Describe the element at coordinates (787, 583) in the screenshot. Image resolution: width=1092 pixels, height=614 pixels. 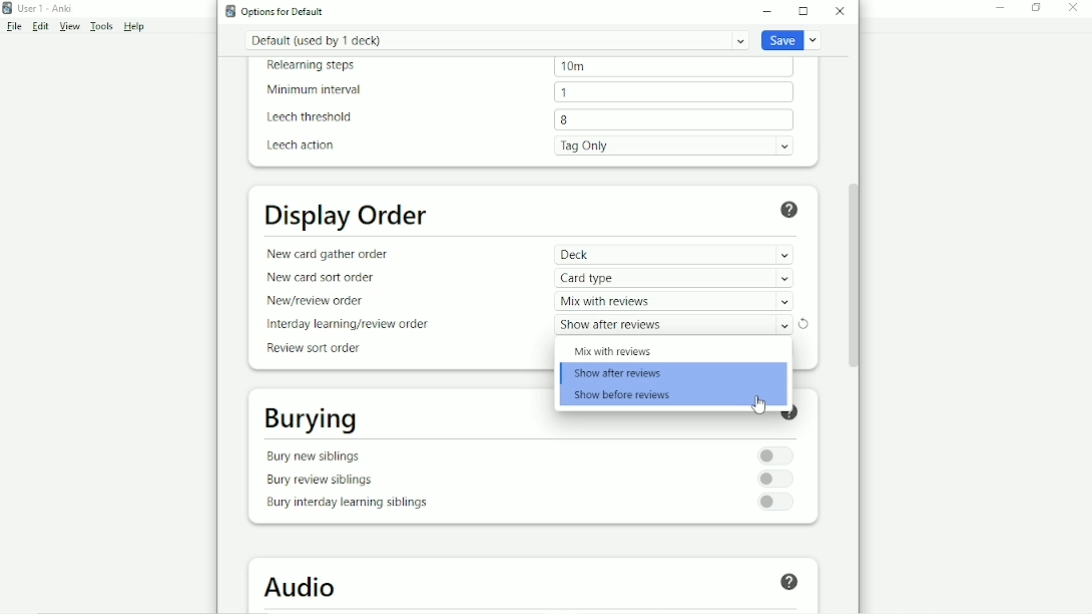
I see `Help` at that location.